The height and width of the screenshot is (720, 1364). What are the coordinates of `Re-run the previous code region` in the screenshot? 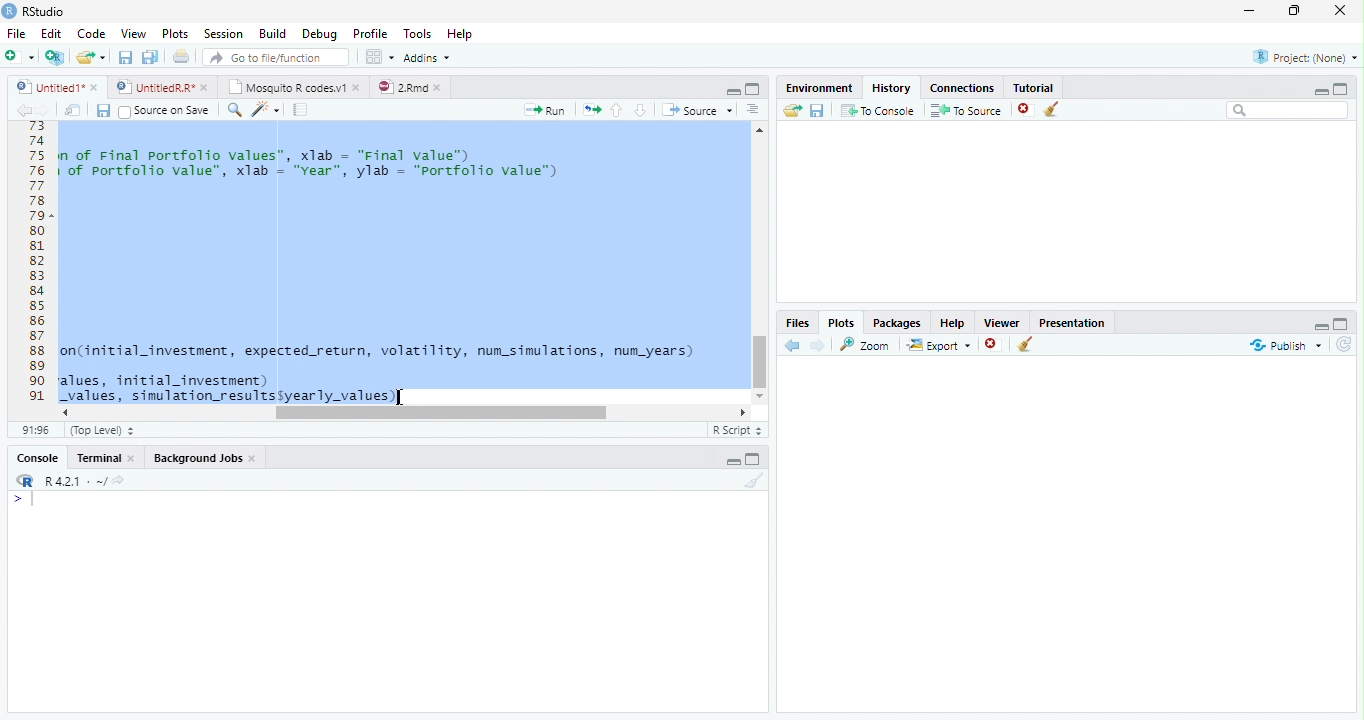 It's located at (590, 110).